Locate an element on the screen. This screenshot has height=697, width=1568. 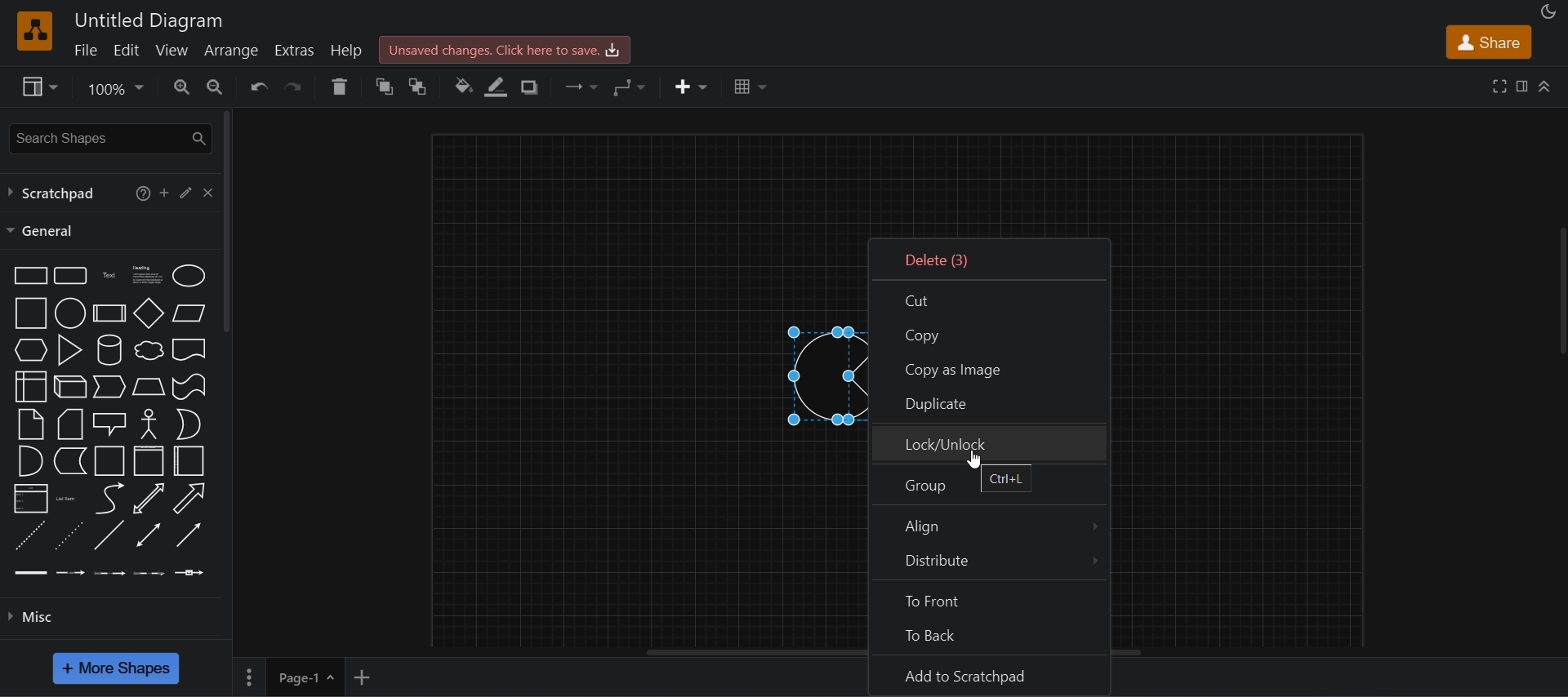
list is located at coordinates (29, 499).